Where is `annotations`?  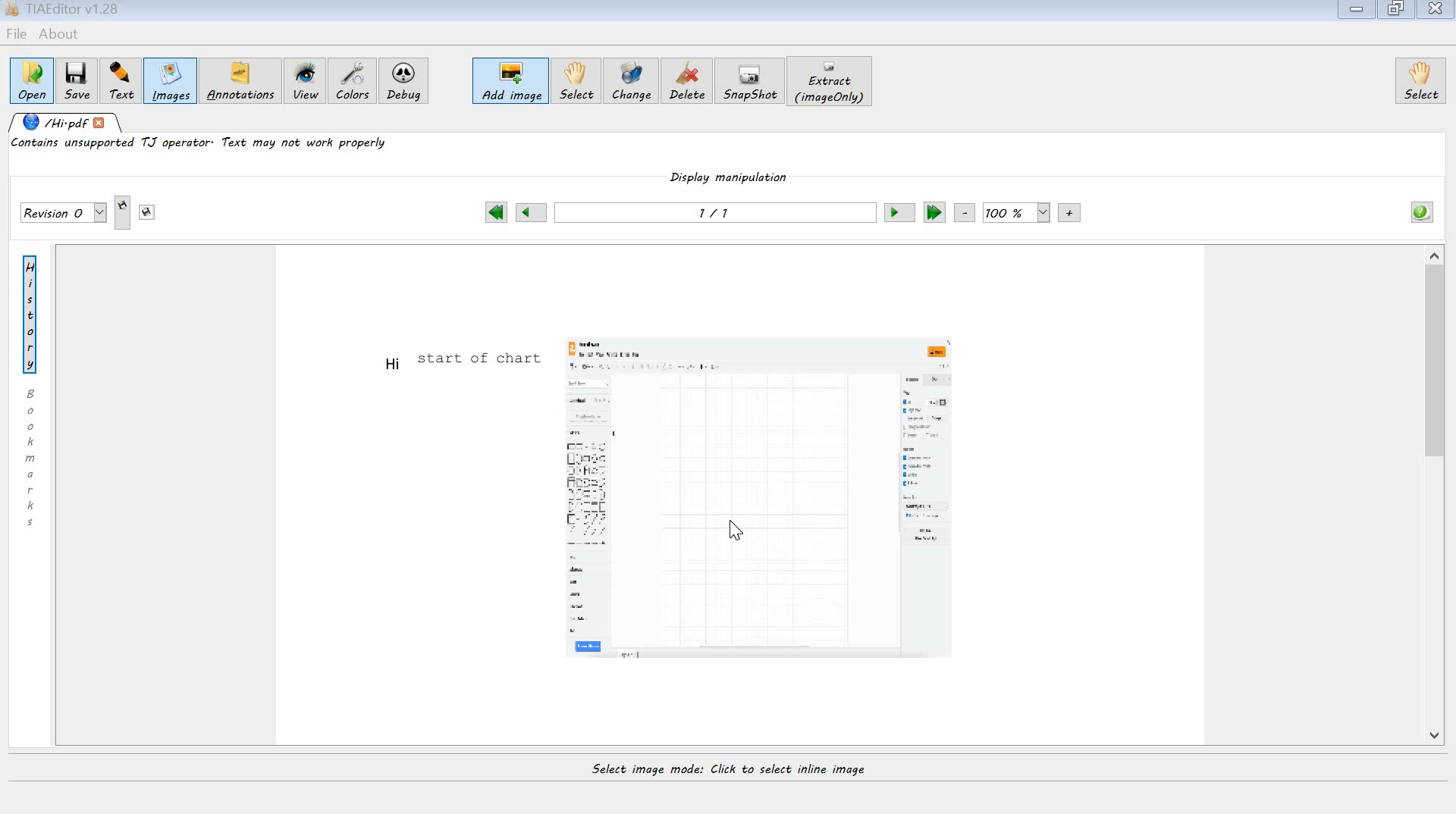
annotations is located at coordinates (243, 83).